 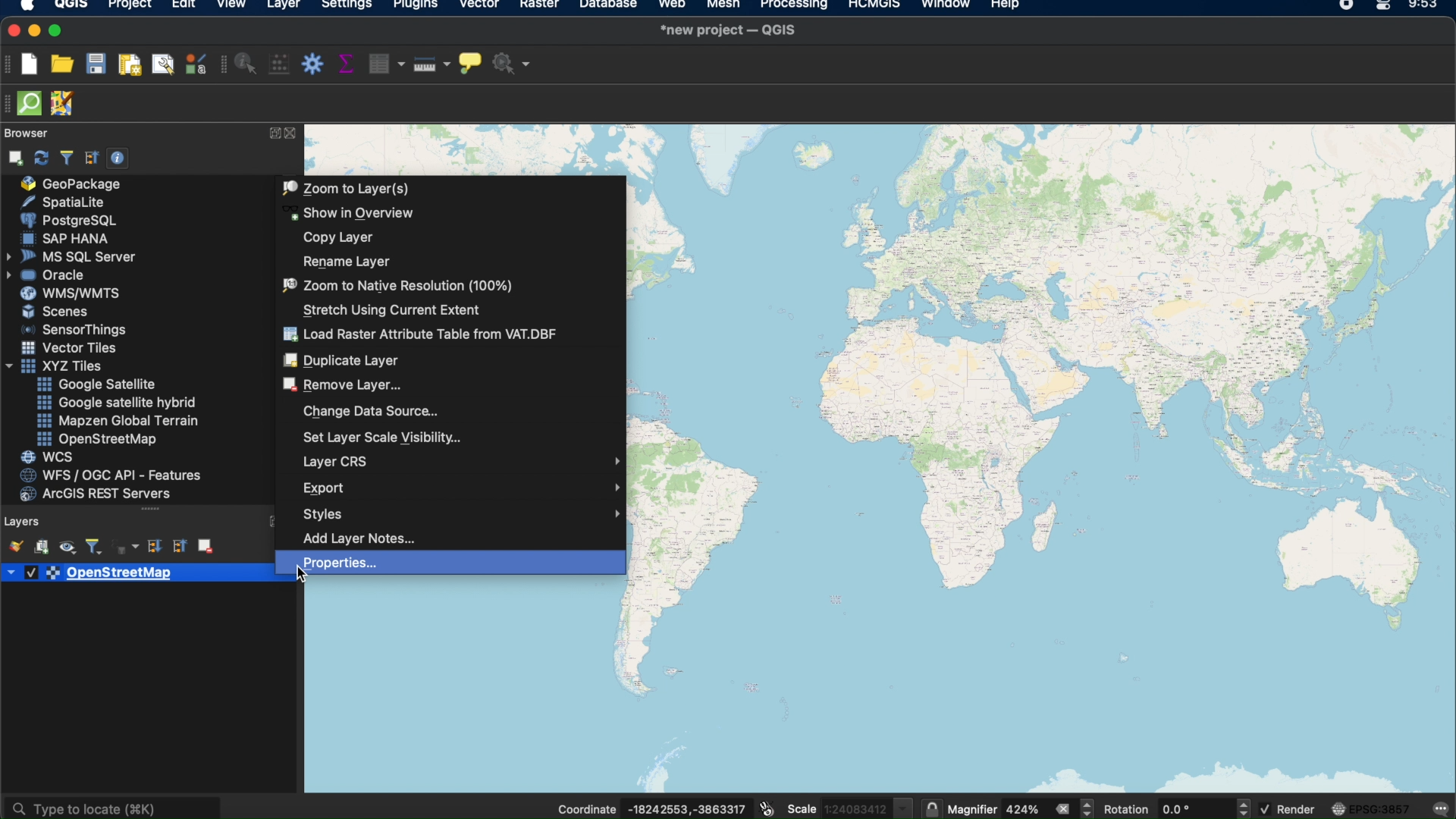 What do you see at coordinates (347, 261) in the screenshot?
I see `rename layer` at bounding box center [347, 261].